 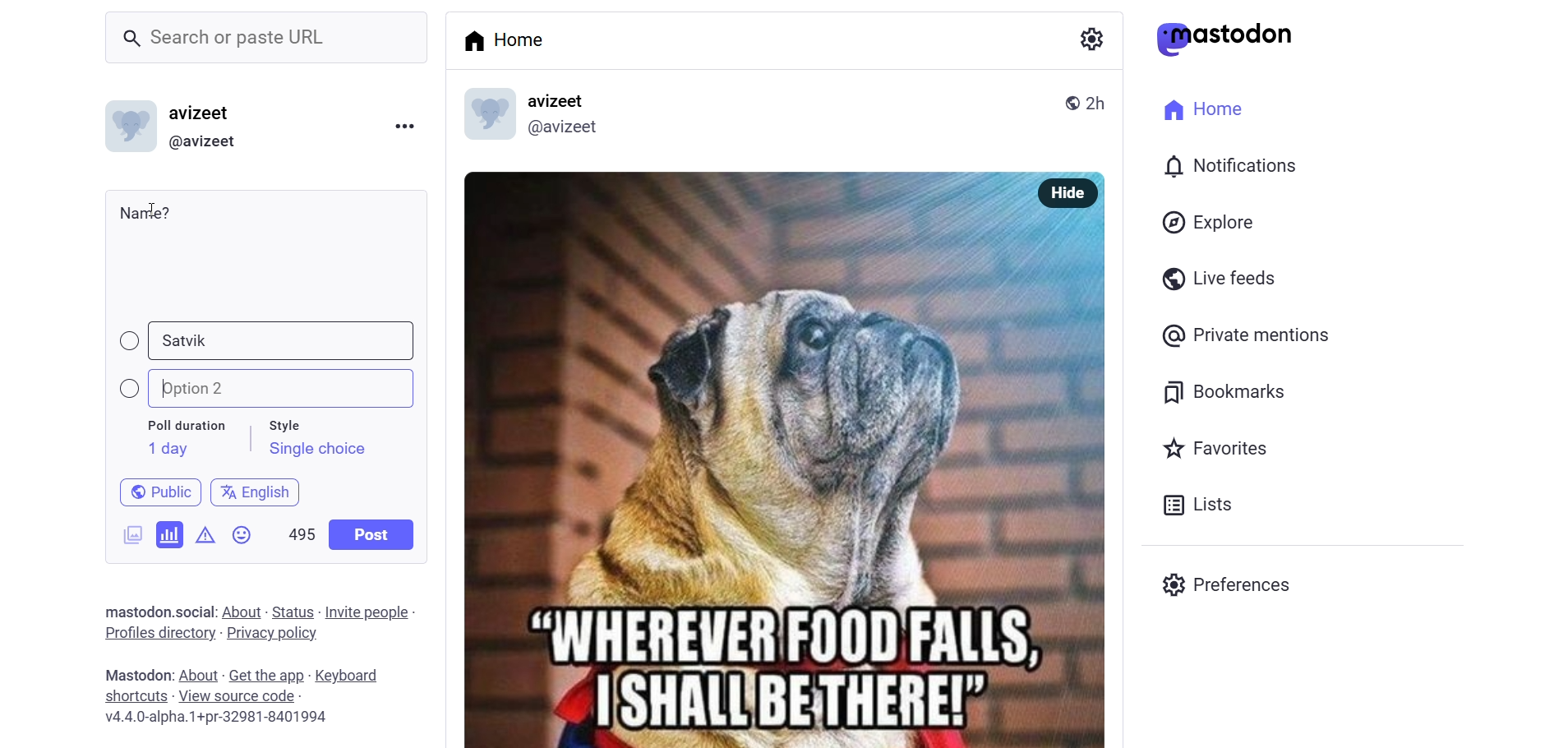 I want to click on about, so click(x=196, y=676).